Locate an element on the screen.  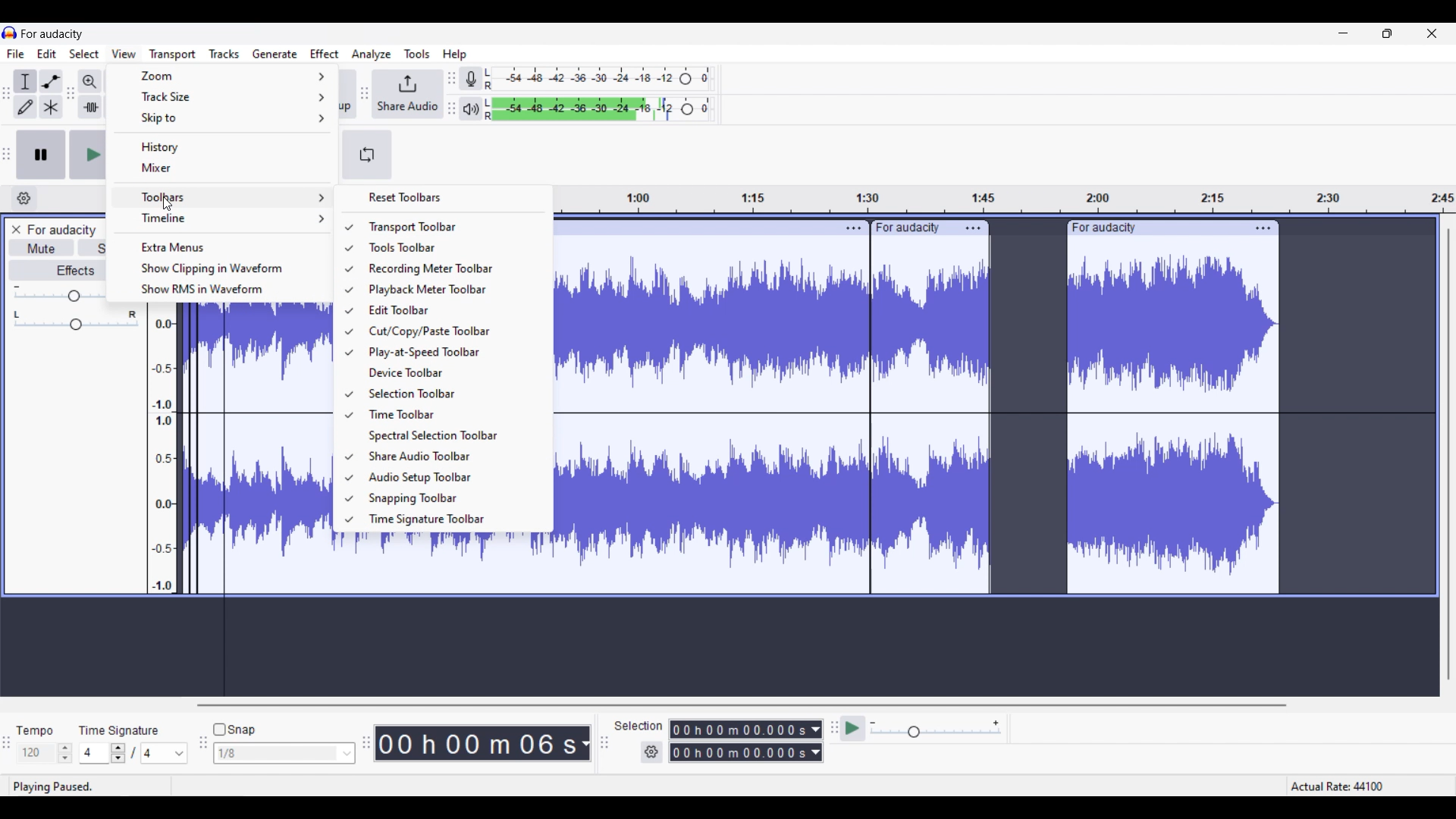
cursor is located at coordinates (168, 206).